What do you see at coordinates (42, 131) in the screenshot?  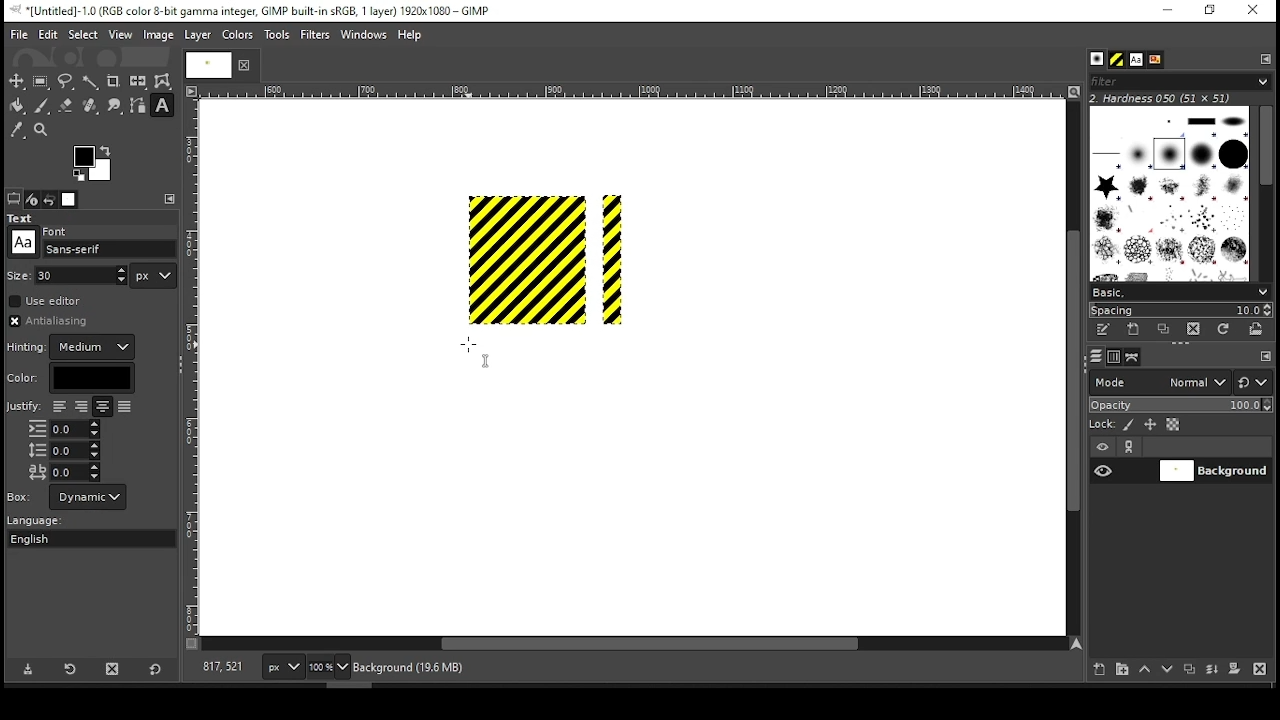 I see `zoom tool` at bounding box center [42, 131].